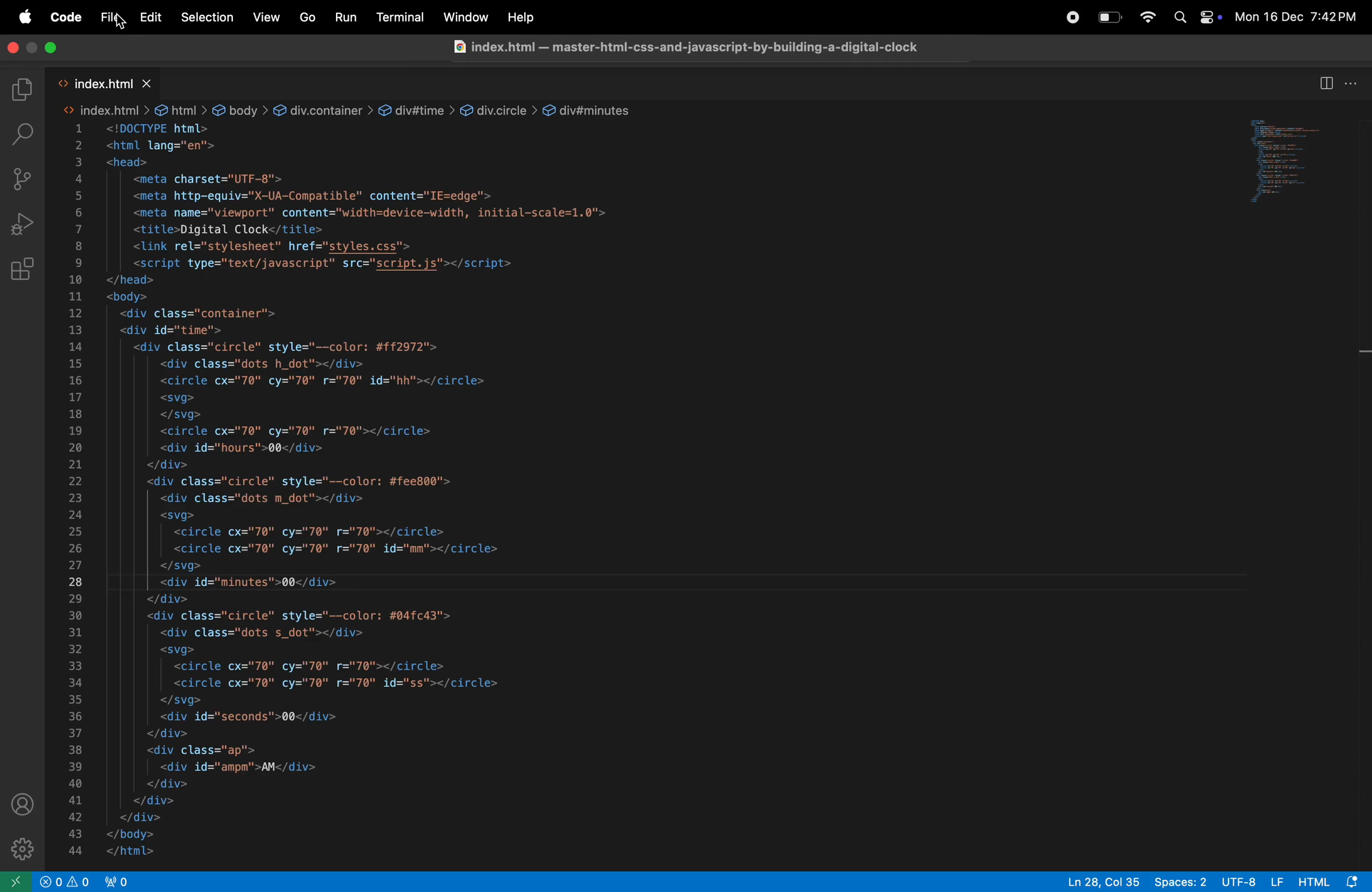  What do you see at coordinates (309, 19) in the screenshot?
I see `Go` at bounding box center [309, 19].